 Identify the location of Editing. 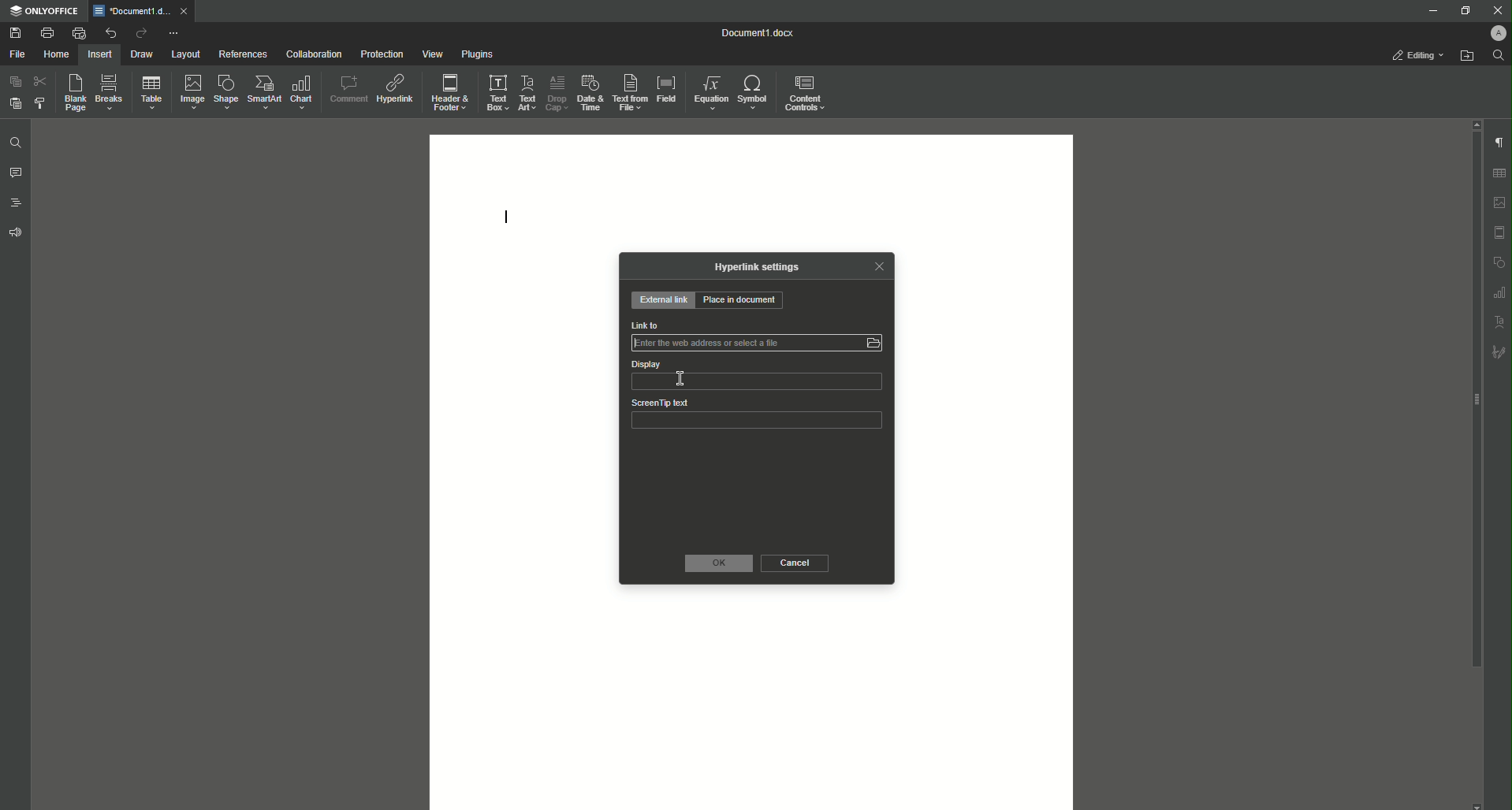
(1413, 54).